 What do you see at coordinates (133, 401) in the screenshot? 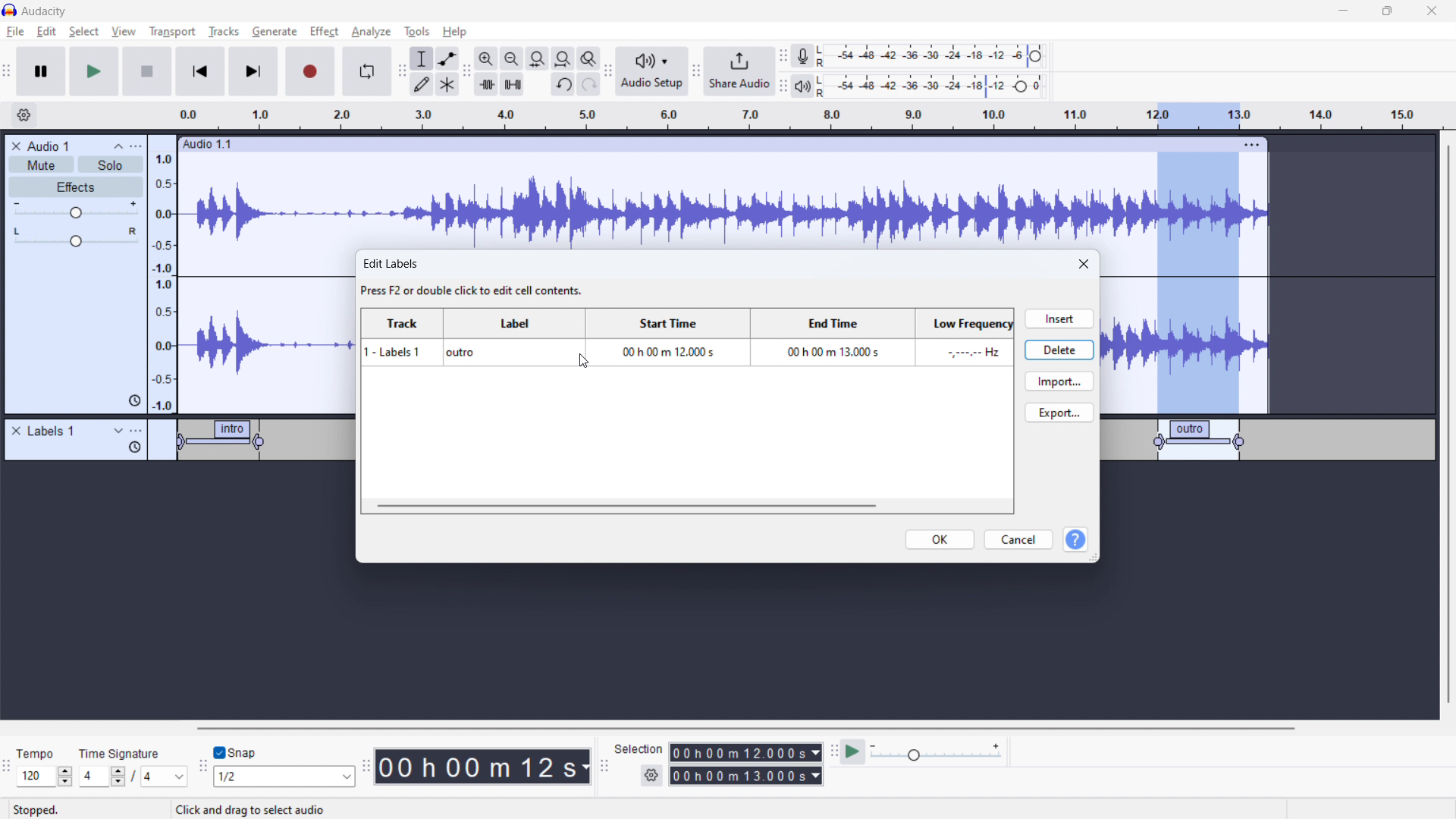
I see `history` at bounding box center [133, 401].